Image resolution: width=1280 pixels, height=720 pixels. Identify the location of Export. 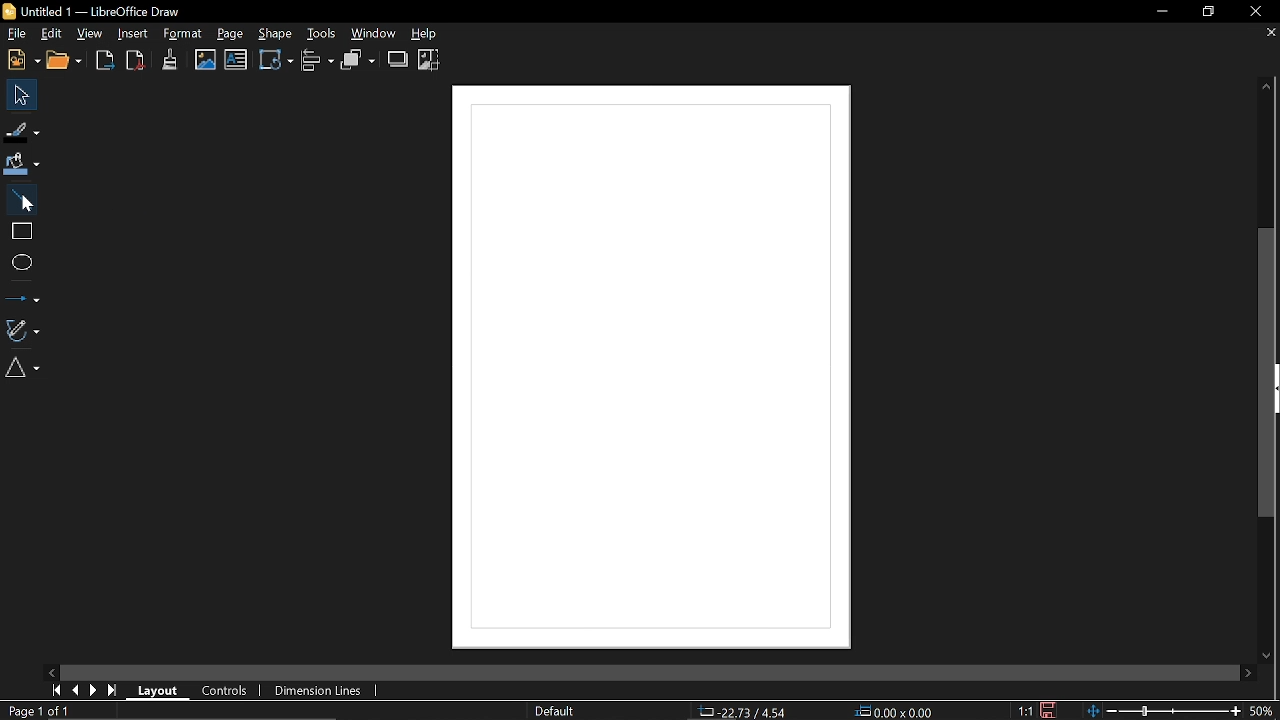
(105, 62).